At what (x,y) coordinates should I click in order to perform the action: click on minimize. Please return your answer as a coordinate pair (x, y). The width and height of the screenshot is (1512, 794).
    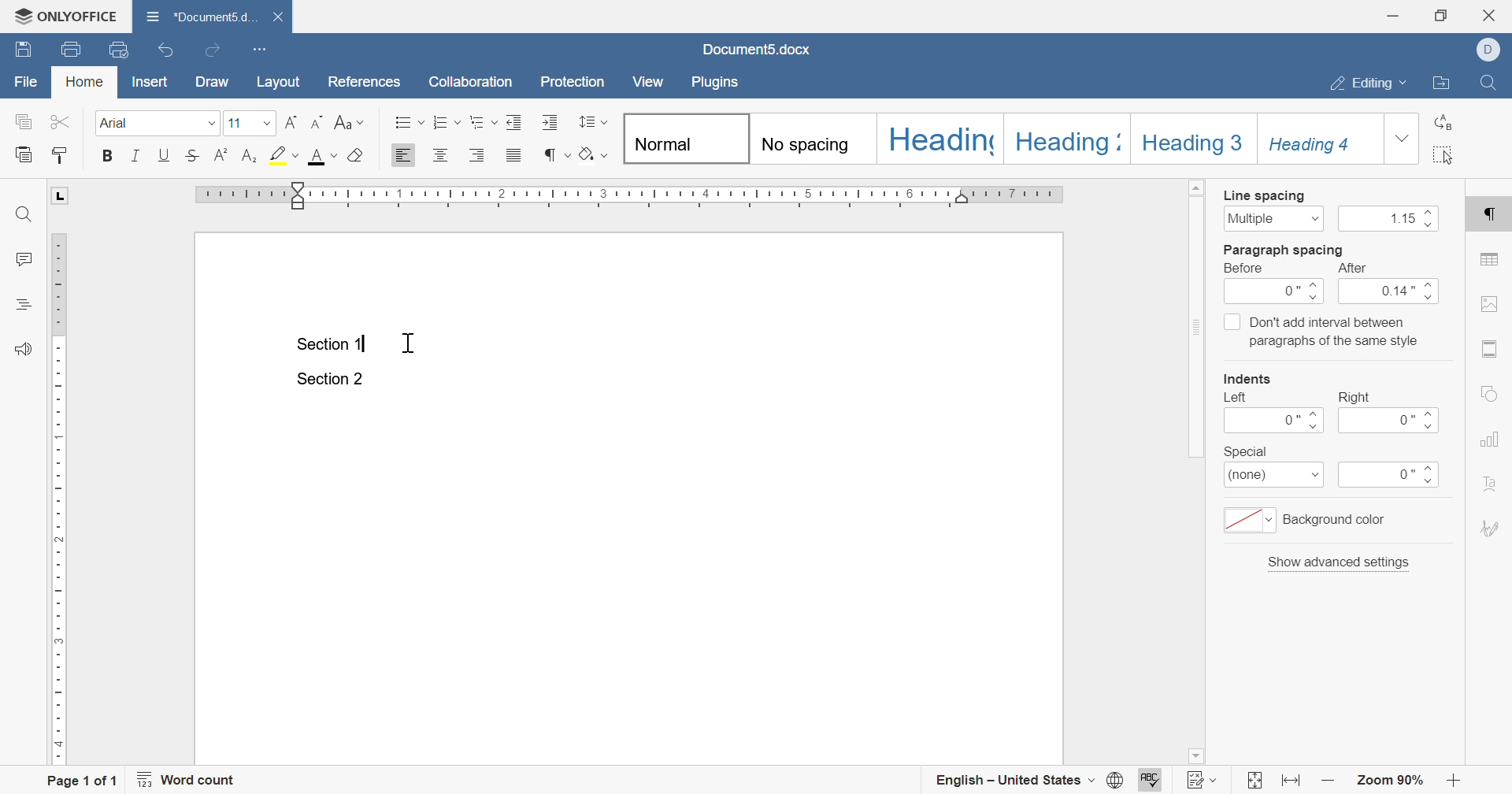
    Looking at the image, I should click on (1396, 15).